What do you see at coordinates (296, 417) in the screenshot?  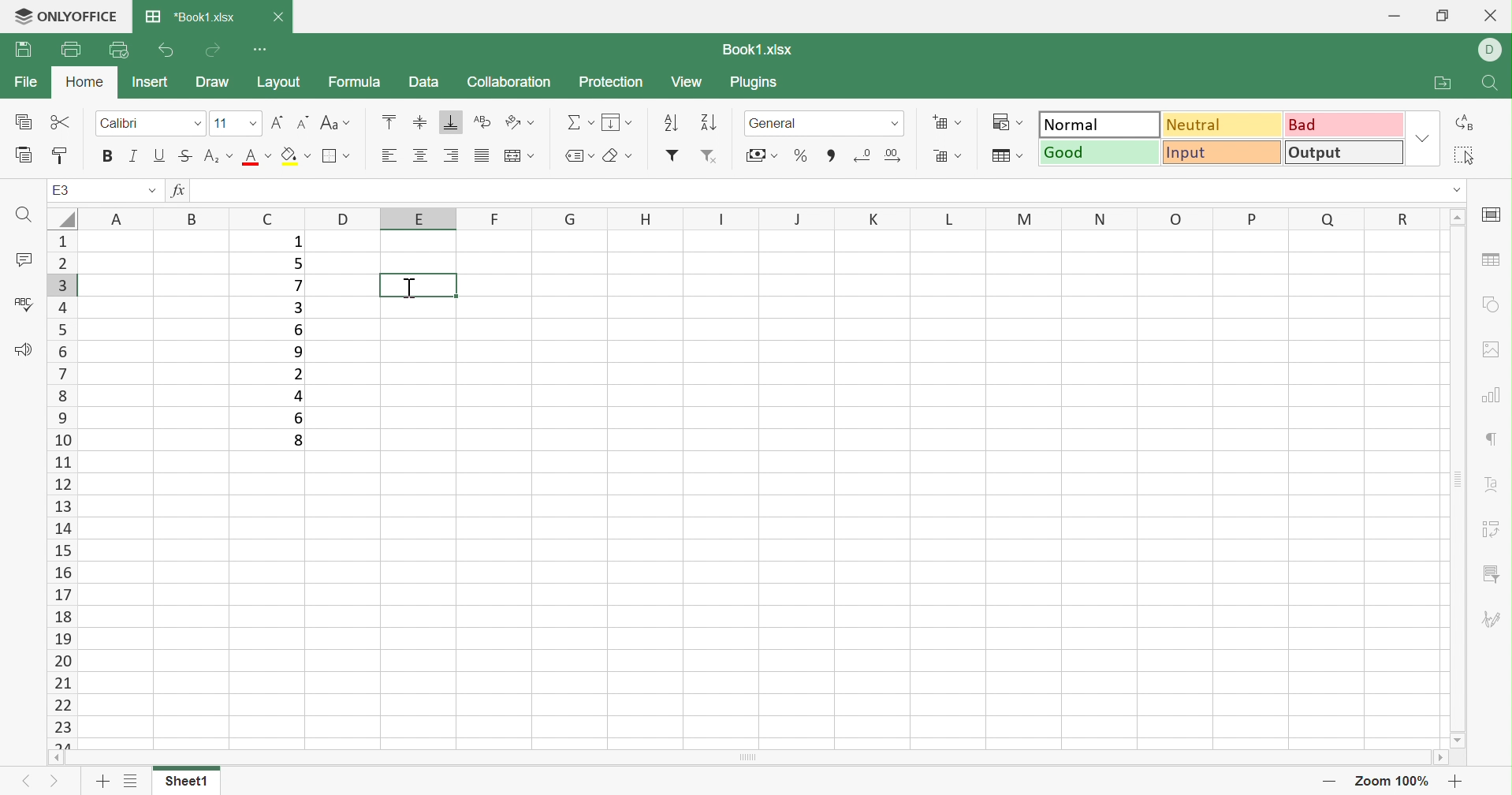 I see `6` at bounding box center [296, 417].